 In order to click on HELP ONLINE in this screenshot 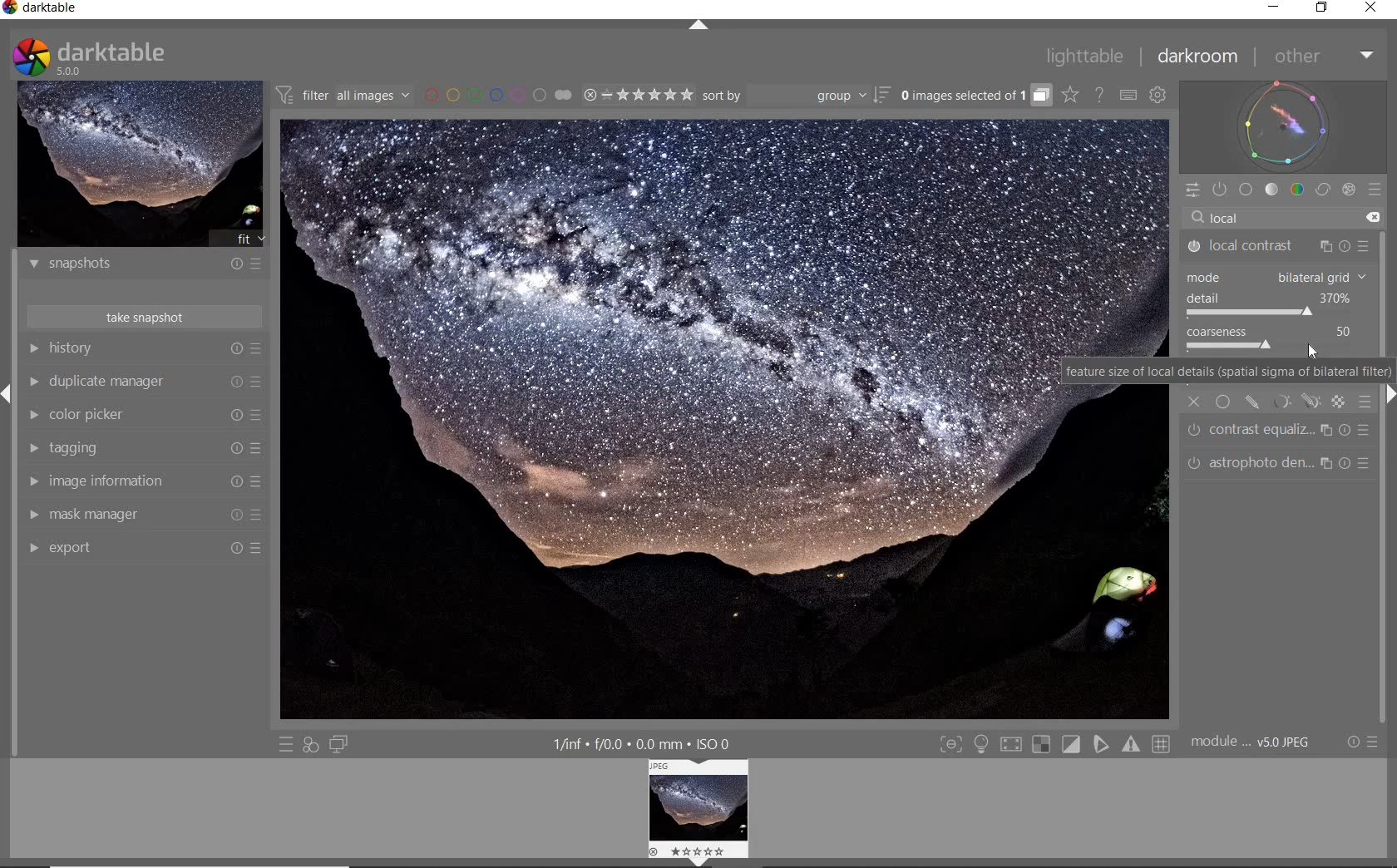, I will do `click(1098, 95)`.